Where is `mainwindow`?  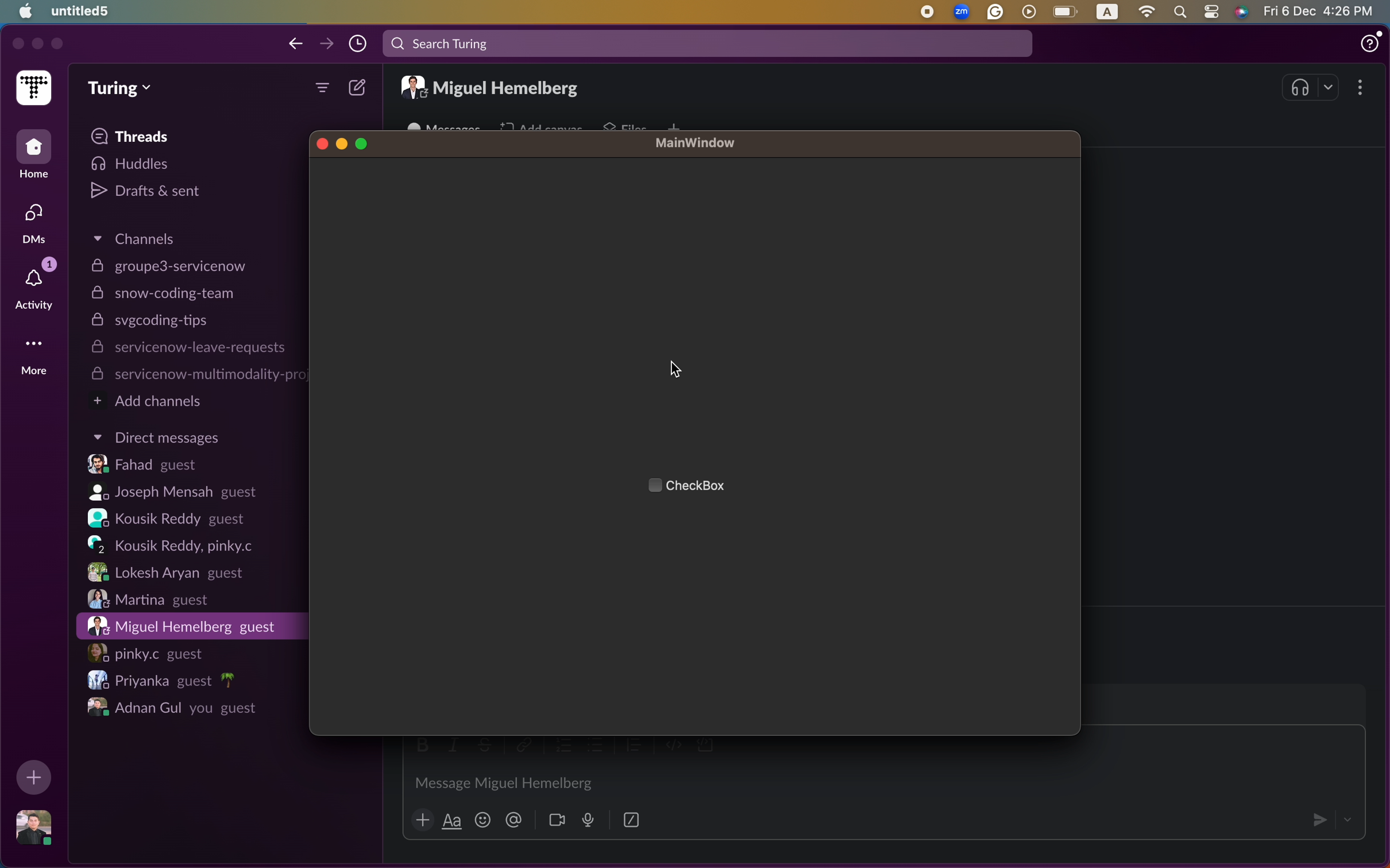
mainwindow is located at coordinates (696, 144).